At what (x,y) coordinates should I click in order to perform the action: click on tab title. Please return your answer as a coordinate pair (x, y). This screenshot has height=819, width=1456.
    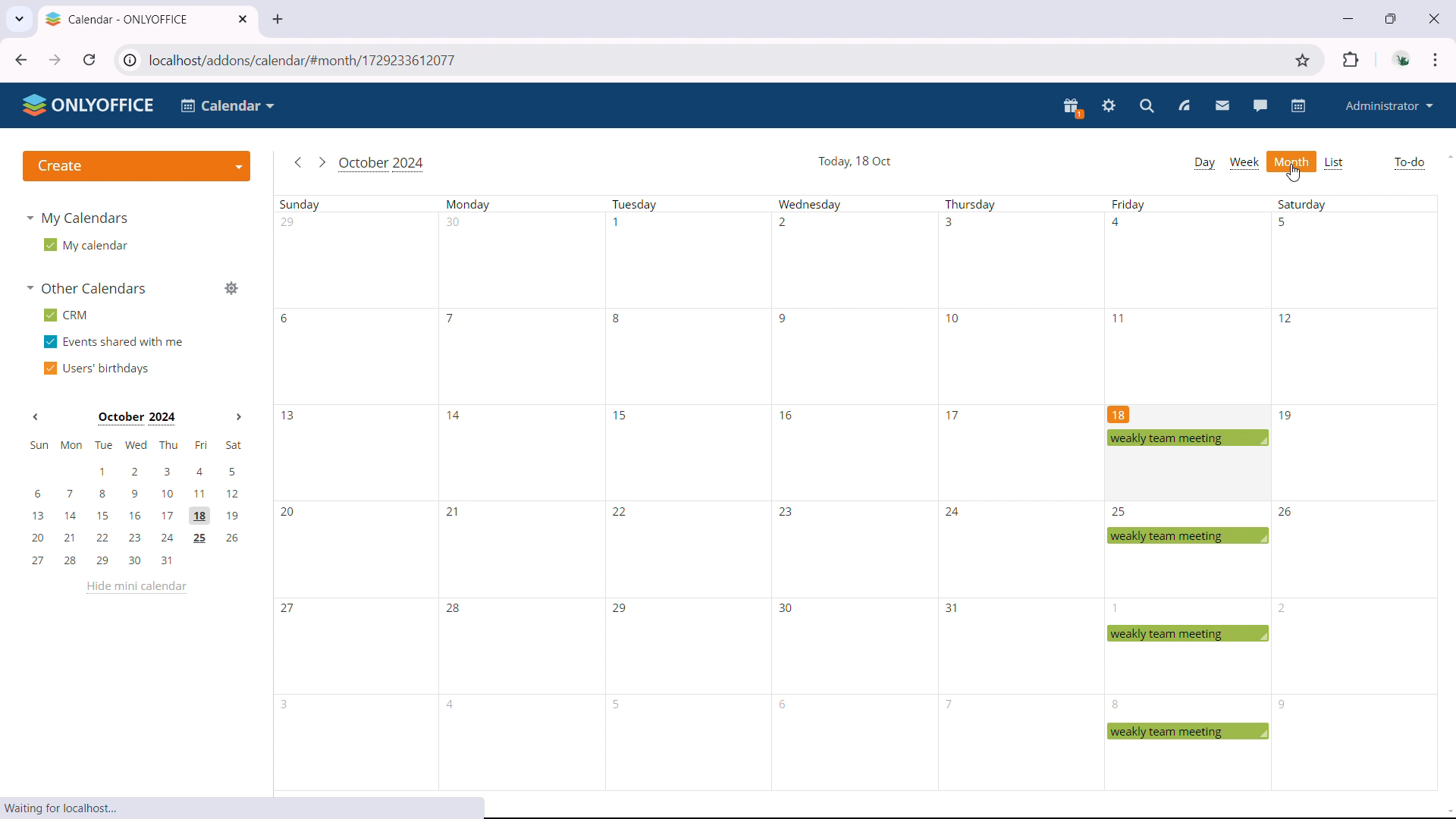
    Looking at the image, I should click on (118, 20).